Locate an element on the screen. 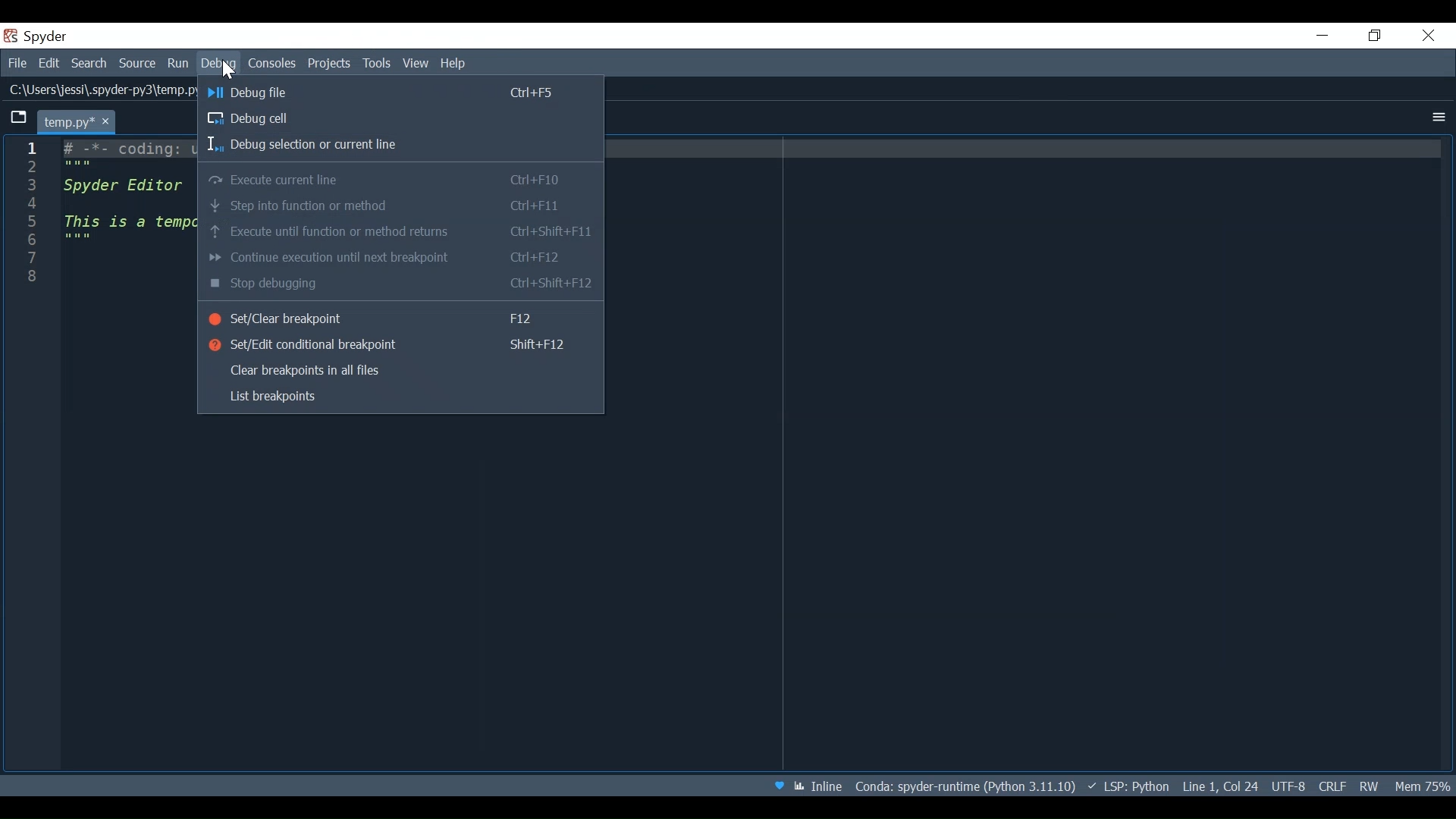 The image size is (1456, 819). List breakpoints is located at coordinates (398, 397).